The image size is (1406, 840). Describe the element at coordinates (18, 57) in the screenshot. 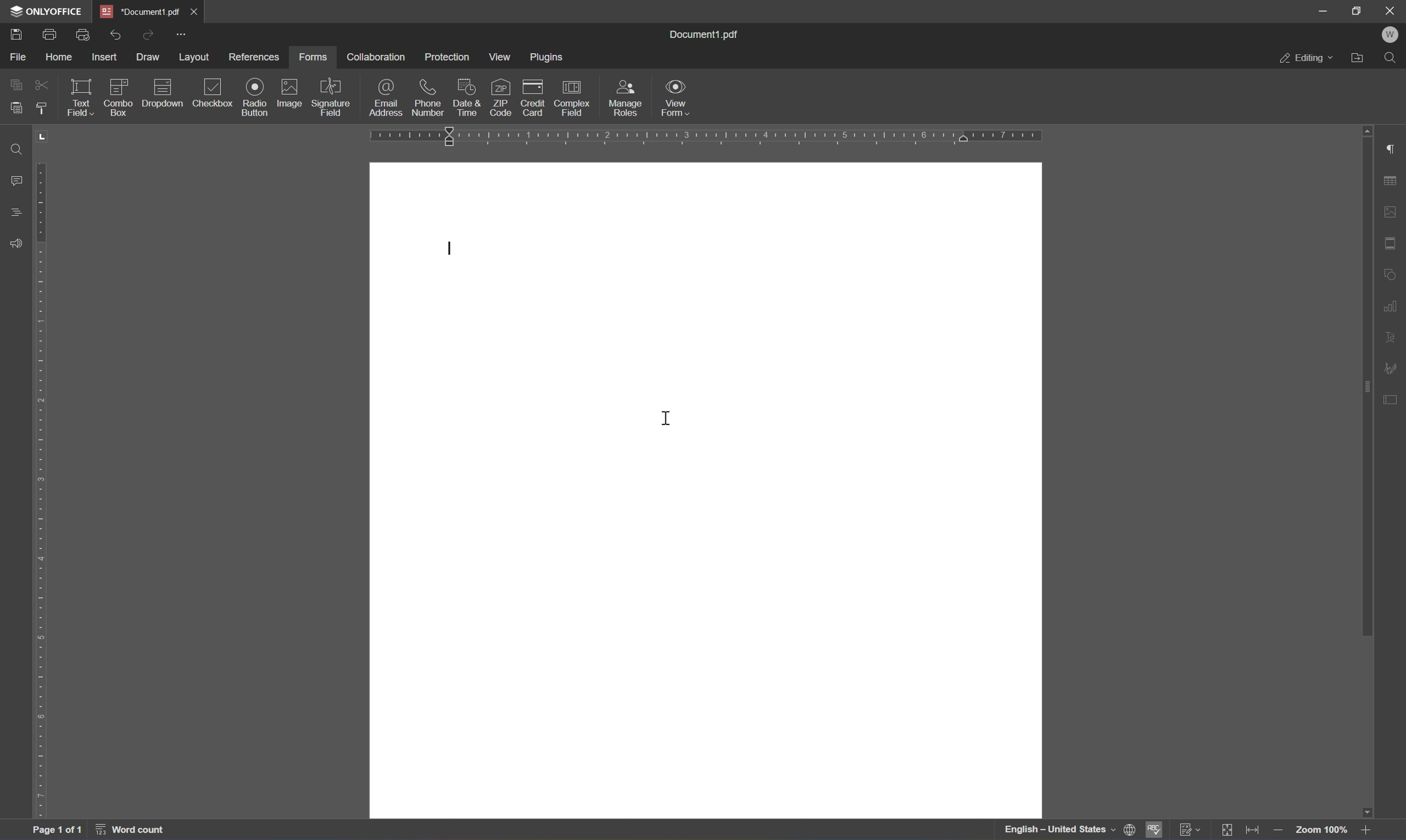

I see `file` at that location.